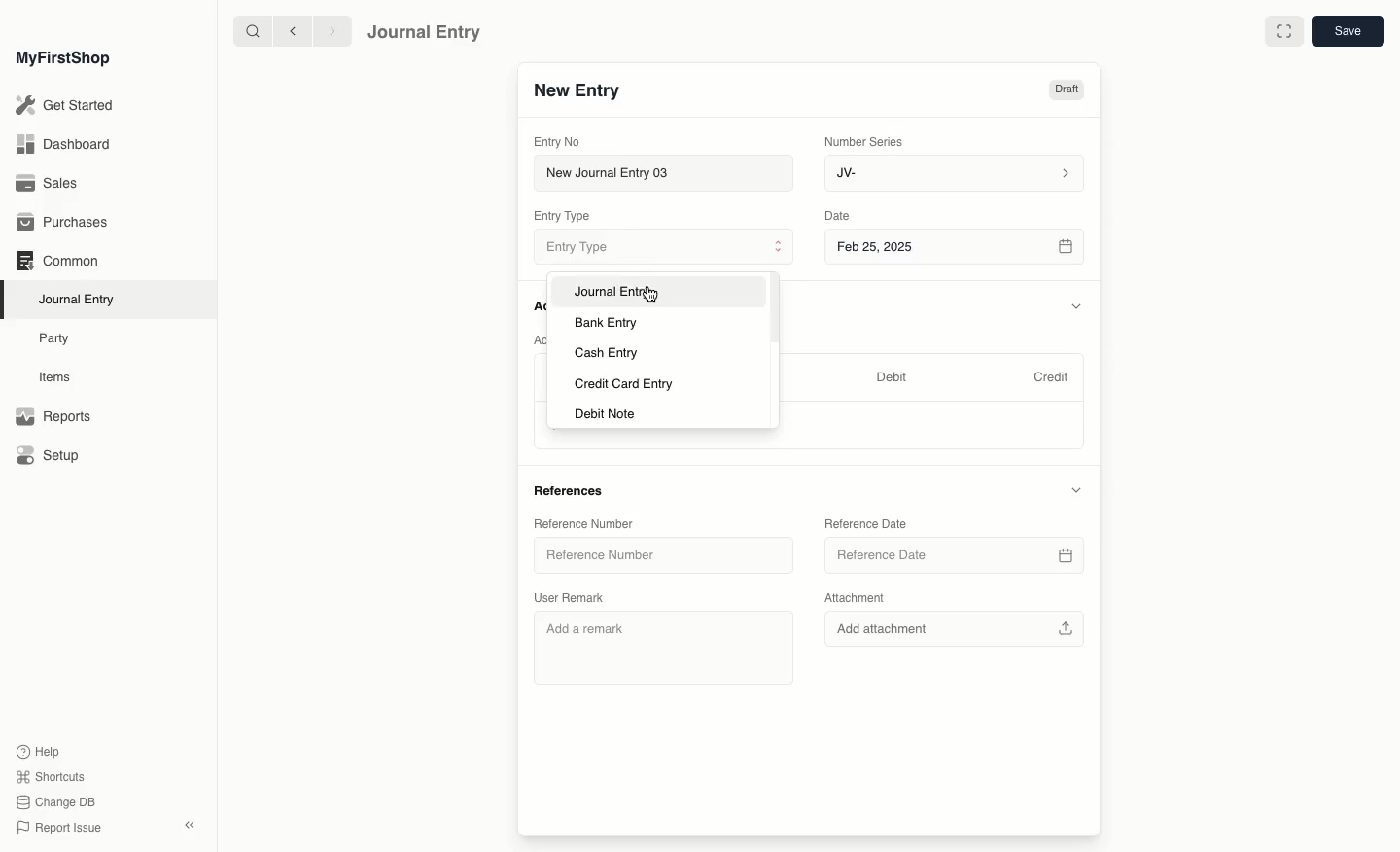 The image size is (1400, 852). I want to click on Party, so click(55, 337).